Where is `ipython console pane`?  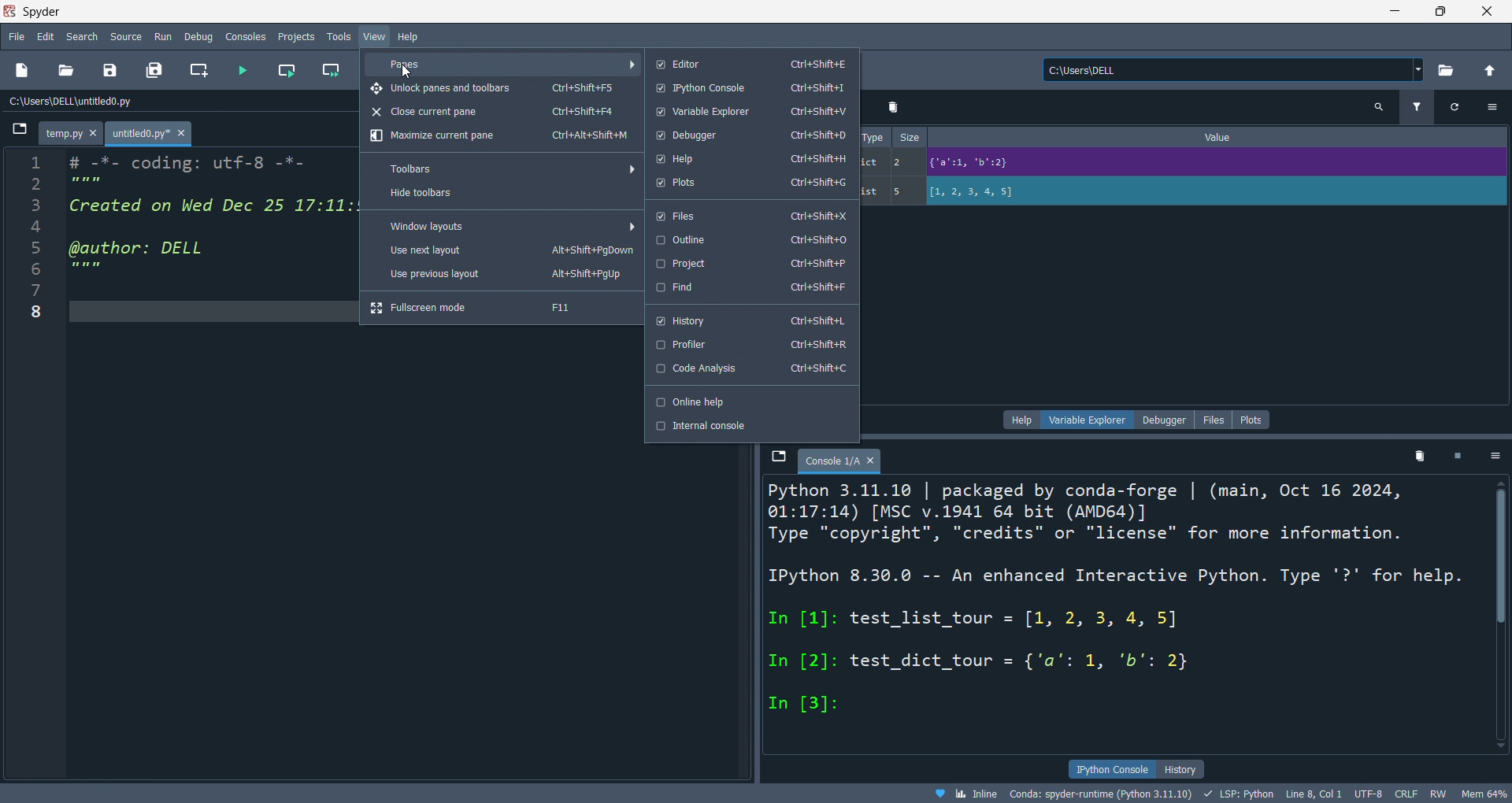 ipython console pane is located at coordinates (769, 601).